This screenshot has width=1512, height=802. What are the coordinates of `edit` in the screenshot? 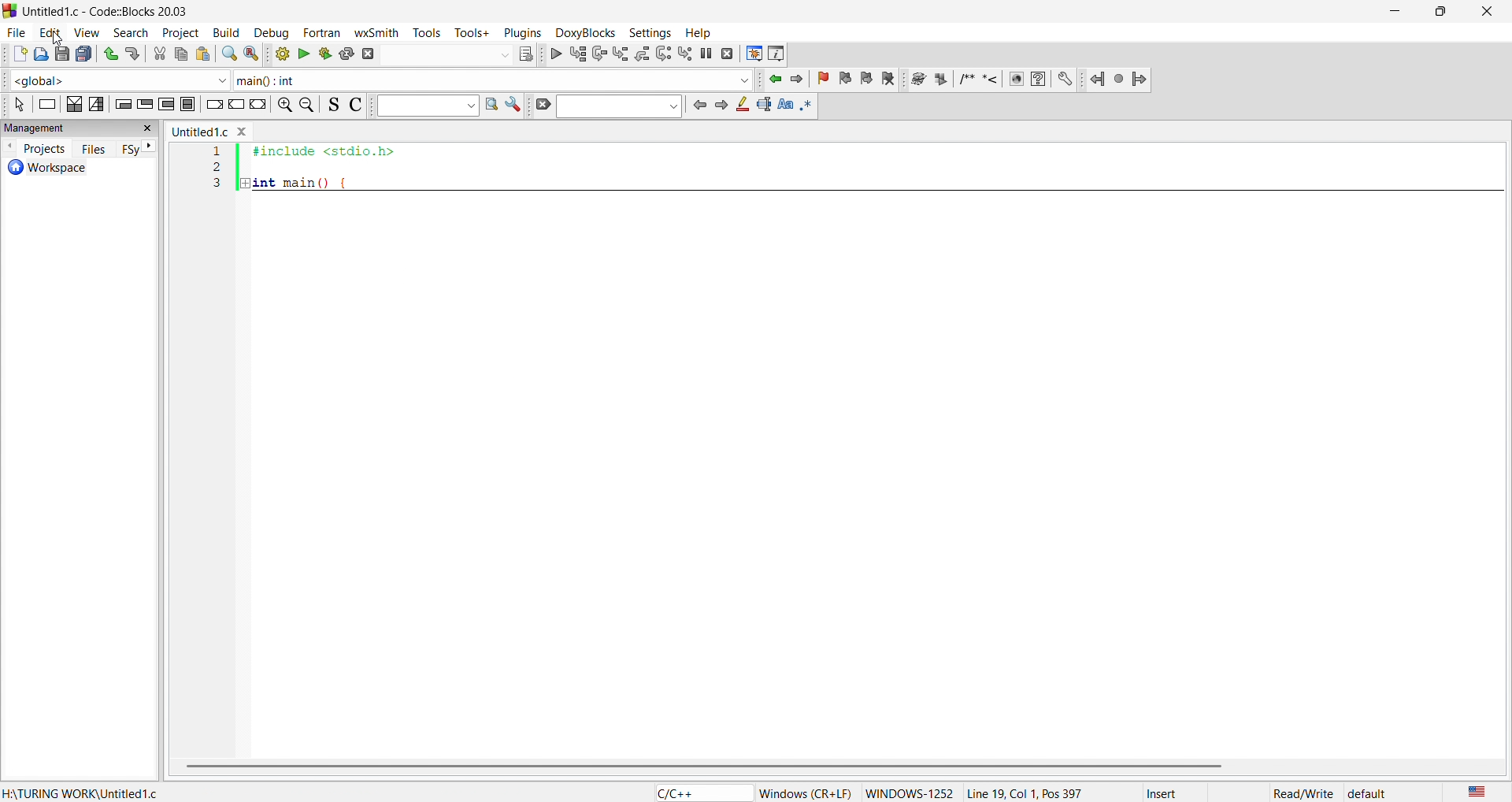 It's located at (49, 31).